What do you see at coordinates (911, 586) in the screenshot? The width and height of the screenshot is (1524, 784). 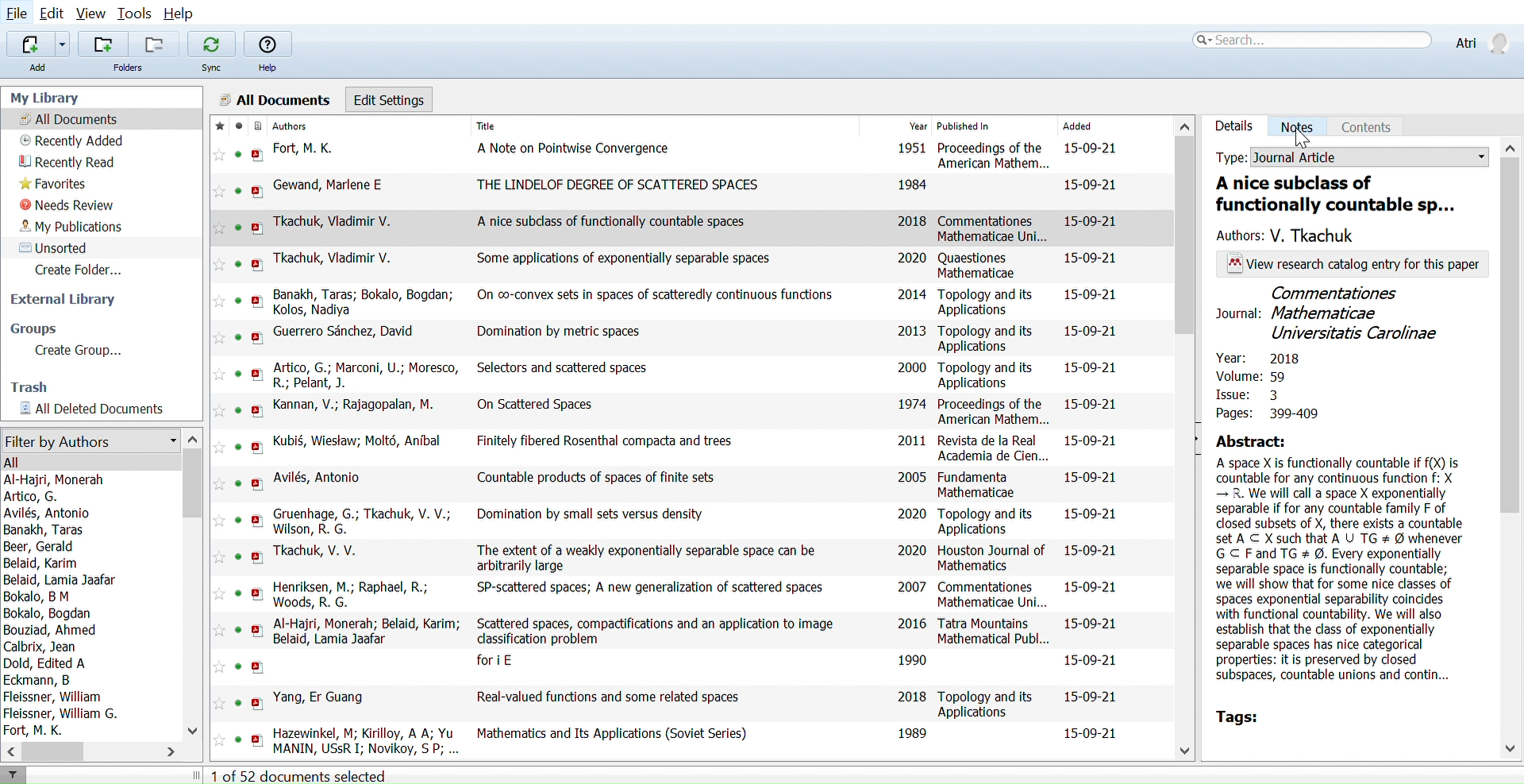 I see `2007` at bounding box center [911, 586].